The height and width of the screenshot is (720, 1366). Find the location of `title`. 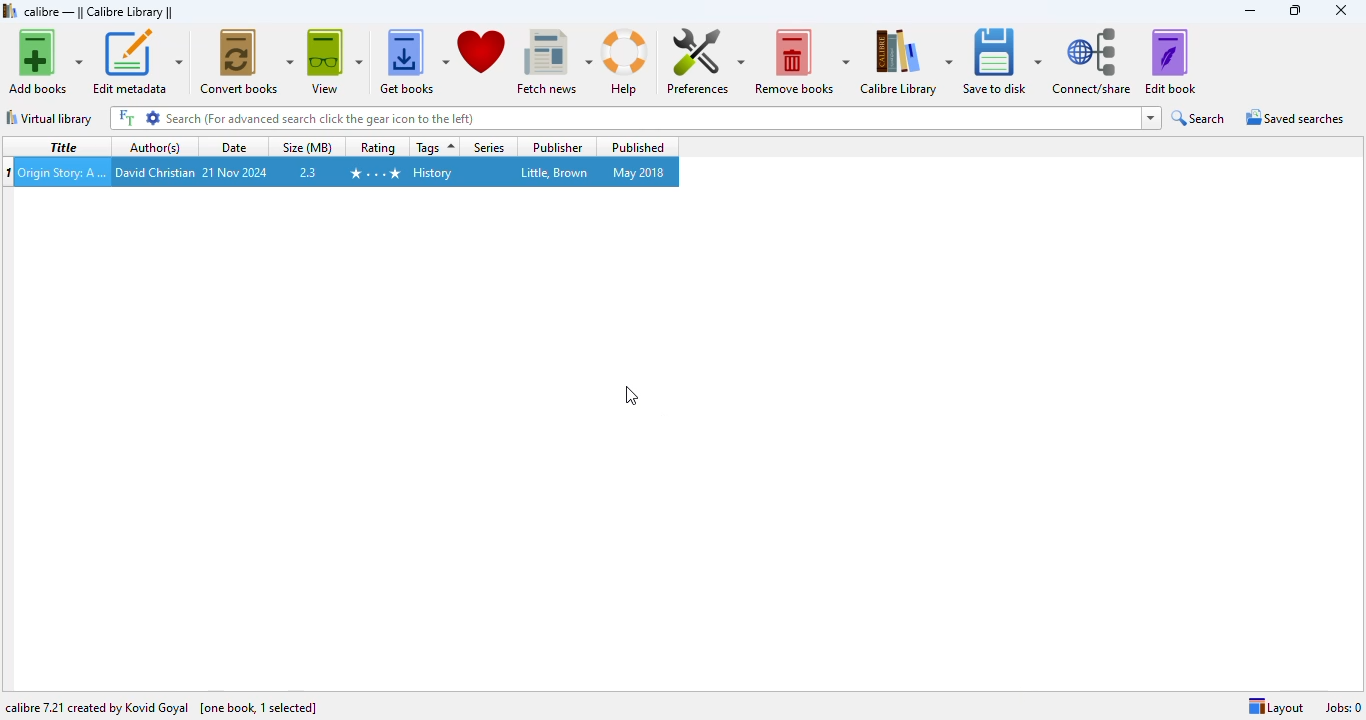

title is located at coordinates (61, 148).